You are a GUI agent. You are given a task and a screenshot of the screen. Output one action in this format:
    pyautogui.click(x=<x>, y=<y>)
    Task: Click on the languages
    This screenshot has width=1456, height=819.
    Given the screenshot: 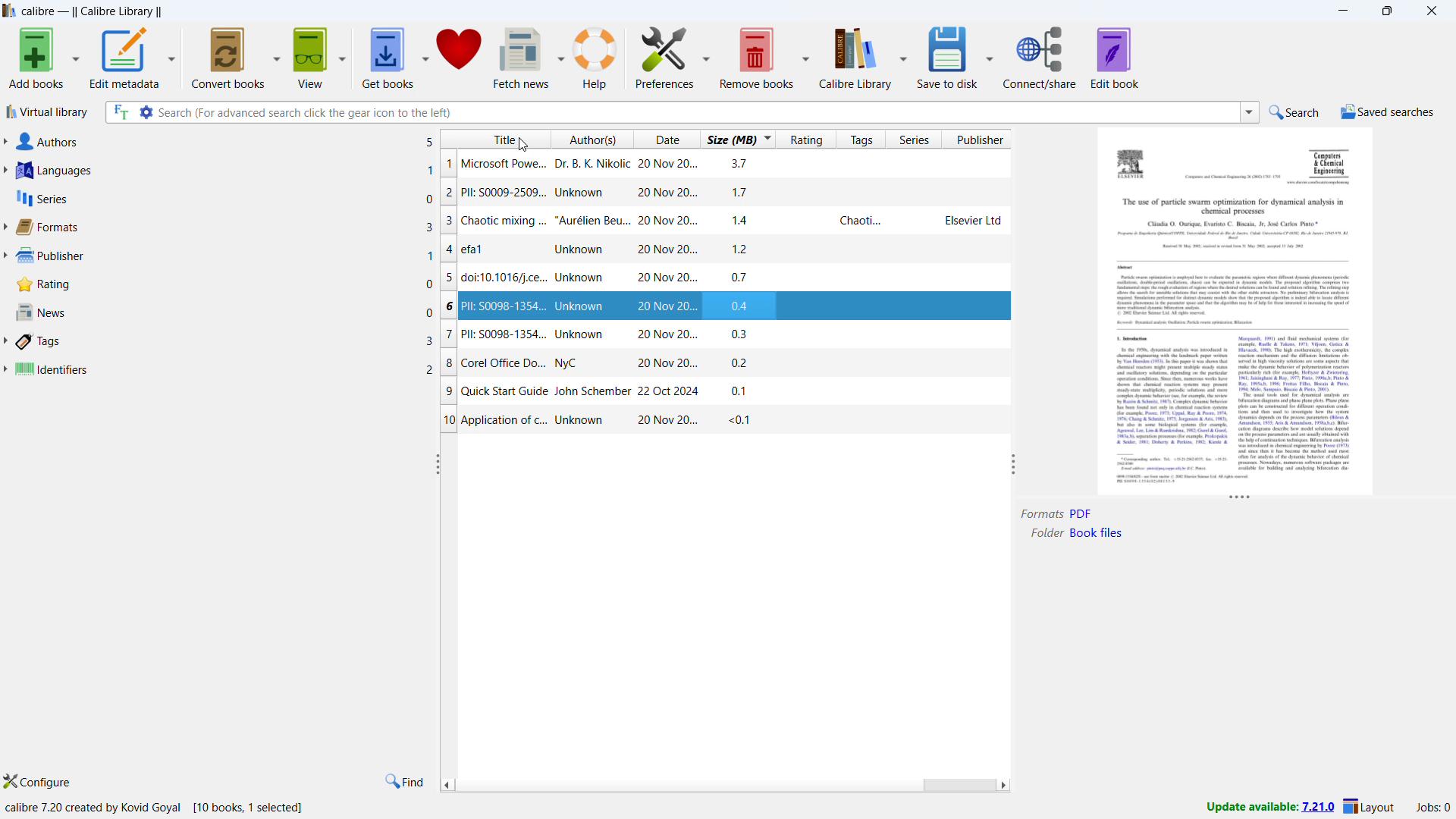 What is the action you would take?
    pyautogui.click(x=224, y=170)
    